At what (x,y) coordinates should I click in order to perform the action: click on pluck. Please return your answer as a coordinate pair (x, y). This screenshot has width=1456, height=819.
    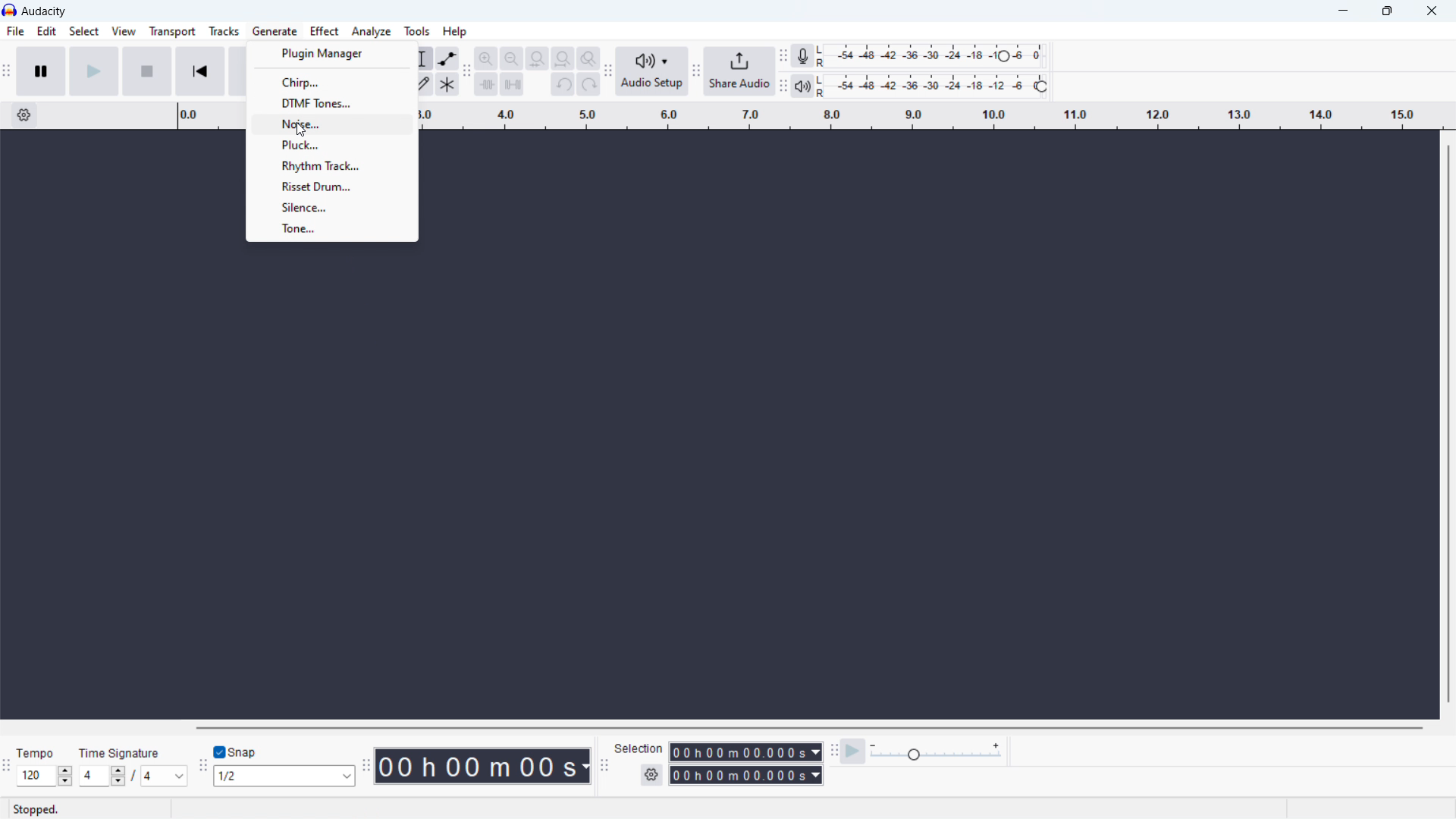
    Looking at the image, I should click on (331, 144).